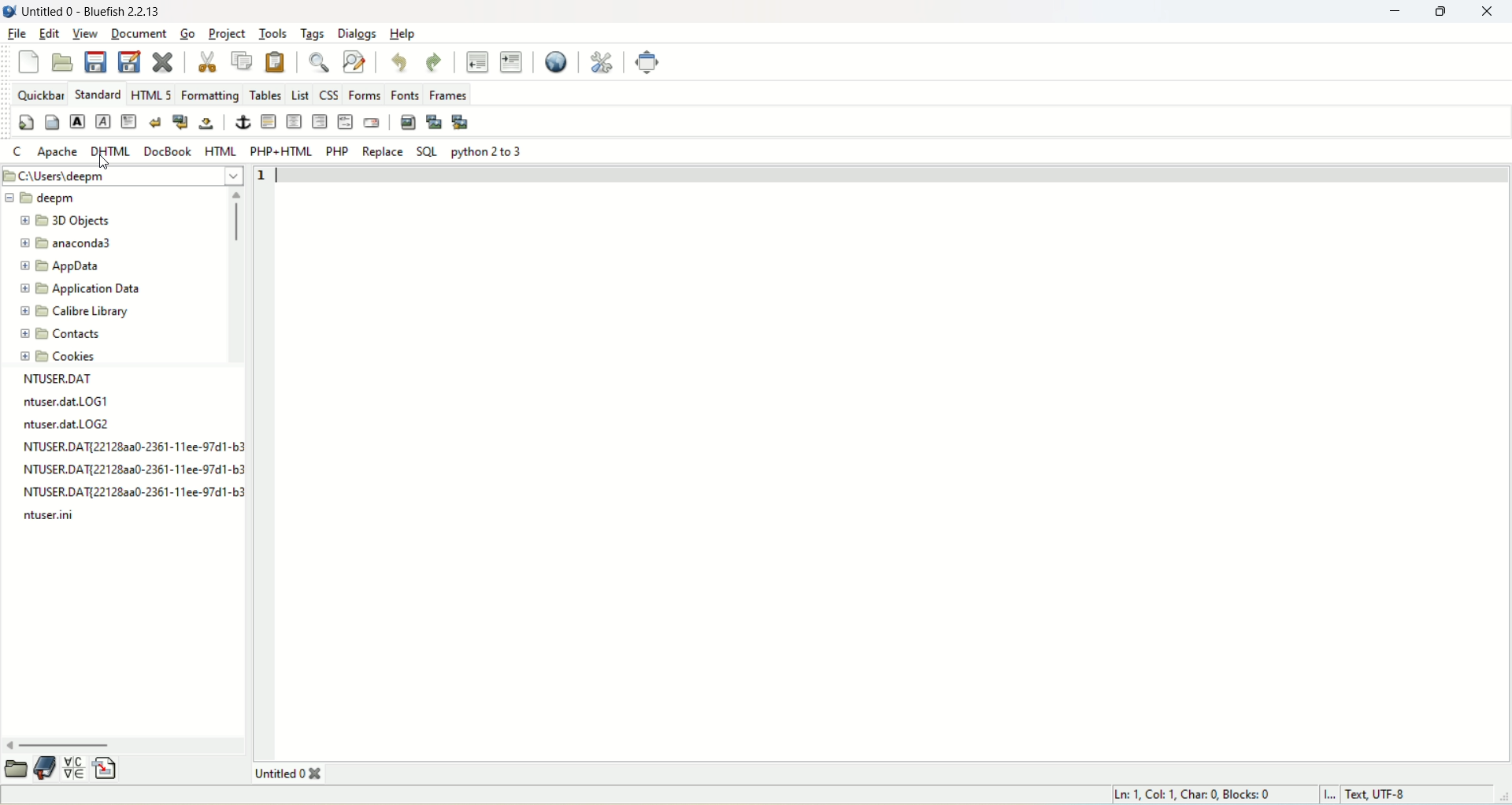 The height and width of the screenshot is (805, 1512). Describe the element at coordinates (128, 121) in the screenshot. I see `paragraph` at that location.